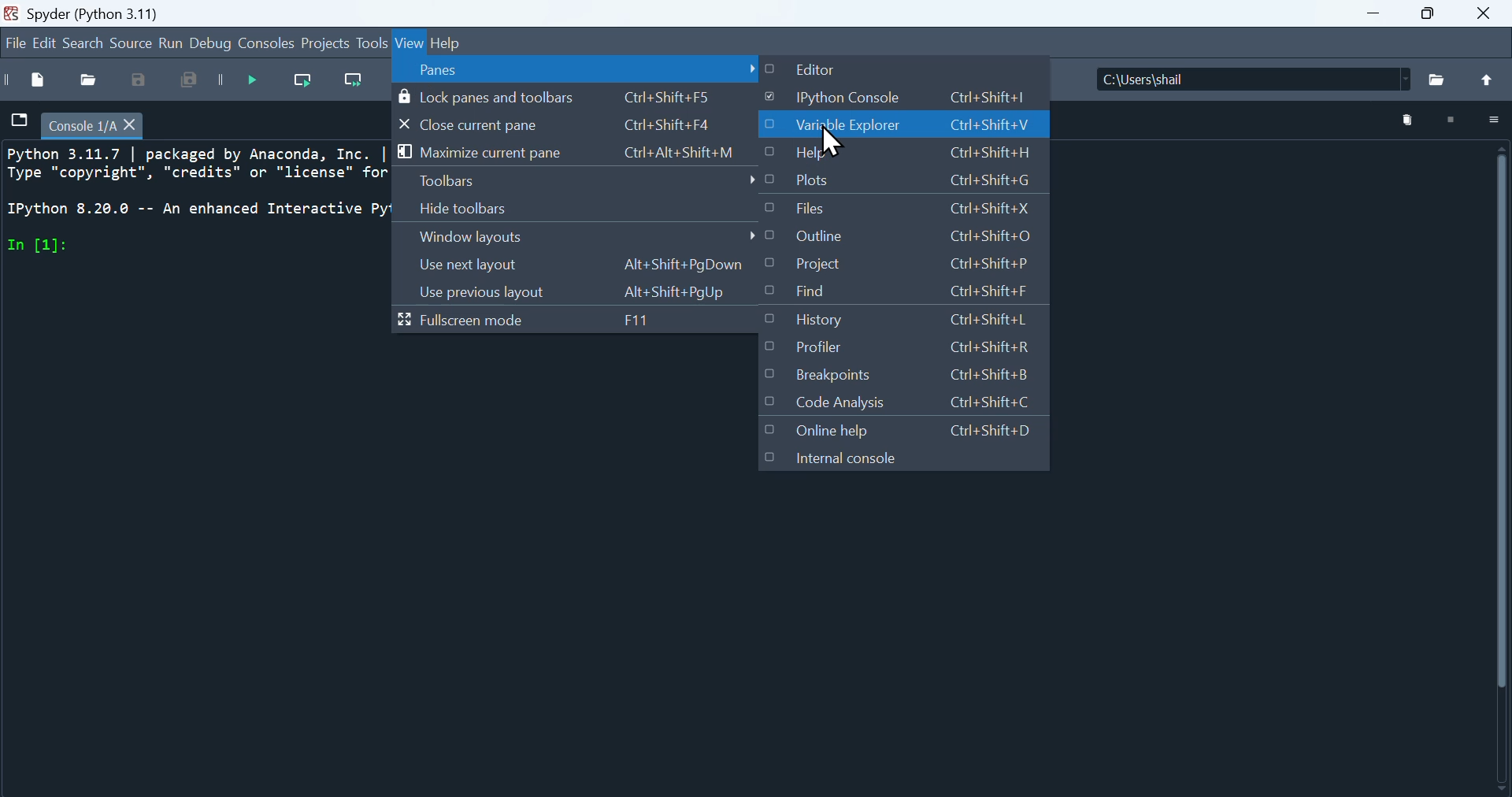  Describe the element at coordinates (899, 96) in the screenshot. I see `I python console` at that location.